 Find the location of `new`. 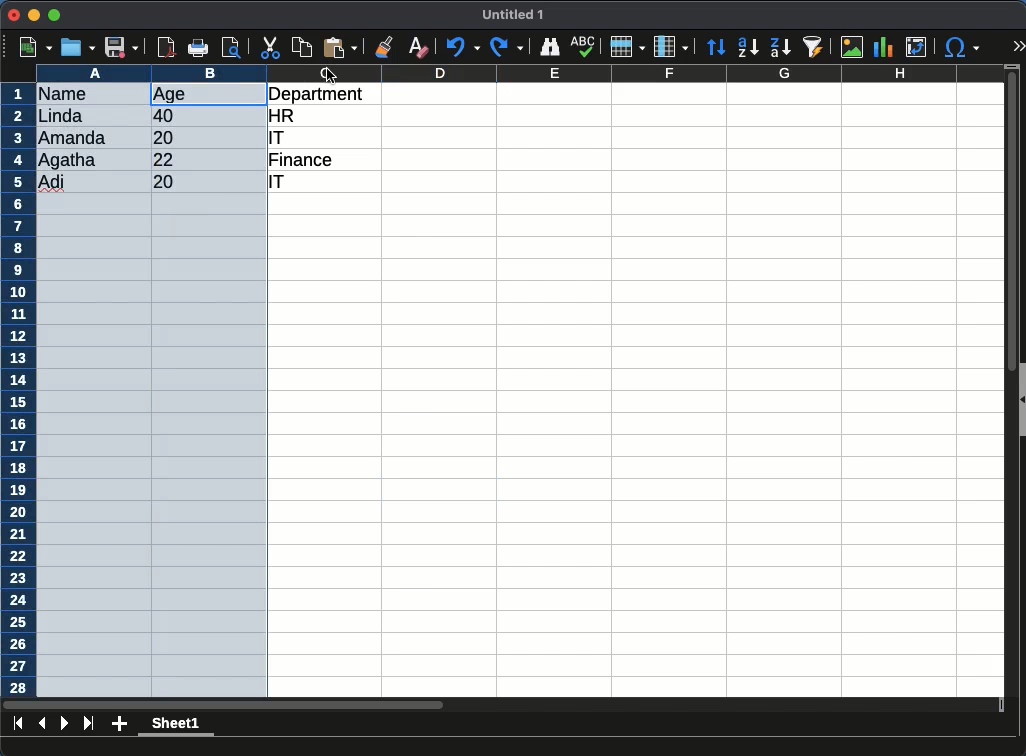

new is located at coordinates (34, 47).